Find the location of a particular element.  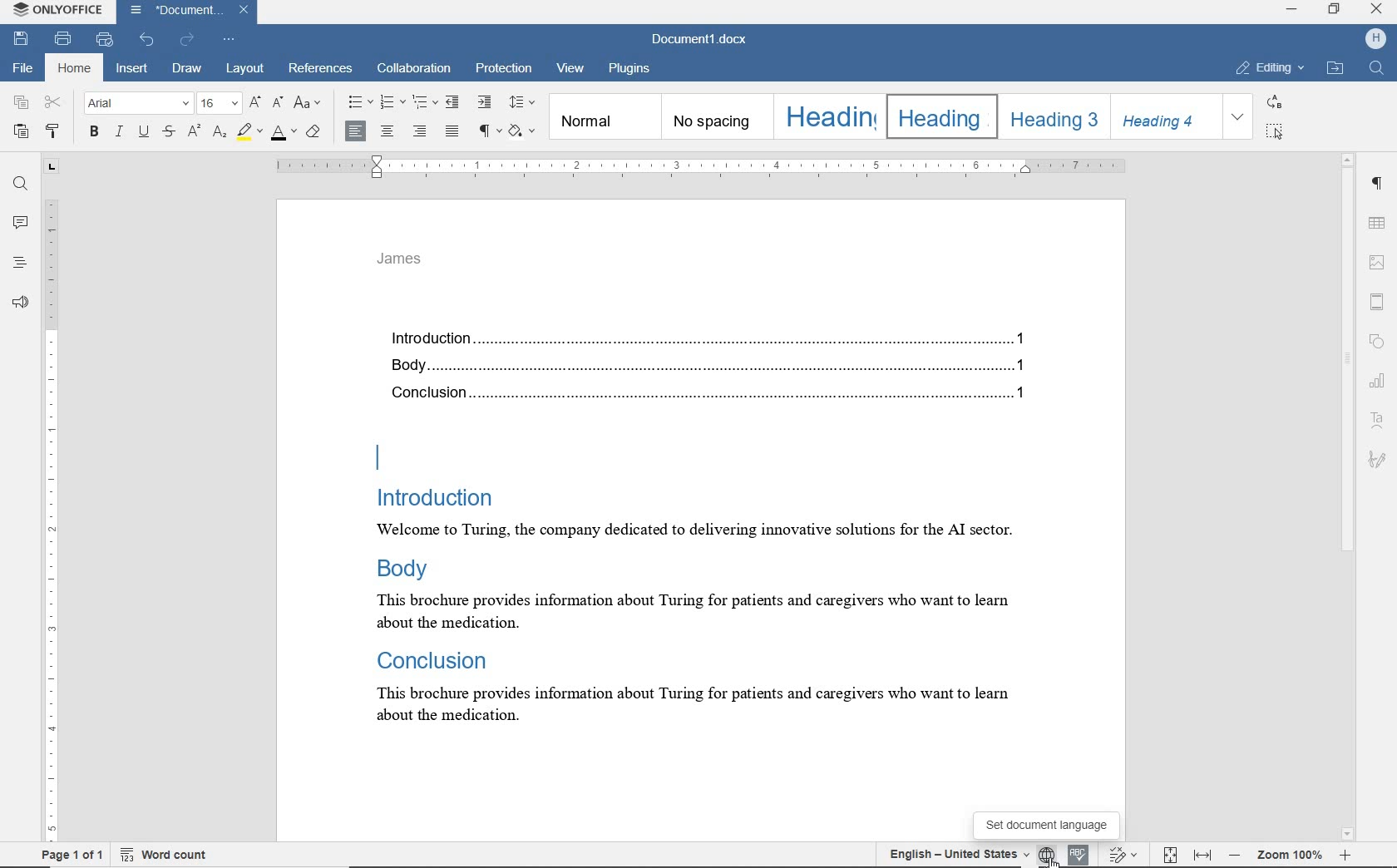

clear style is located at coordinates (315, 132).